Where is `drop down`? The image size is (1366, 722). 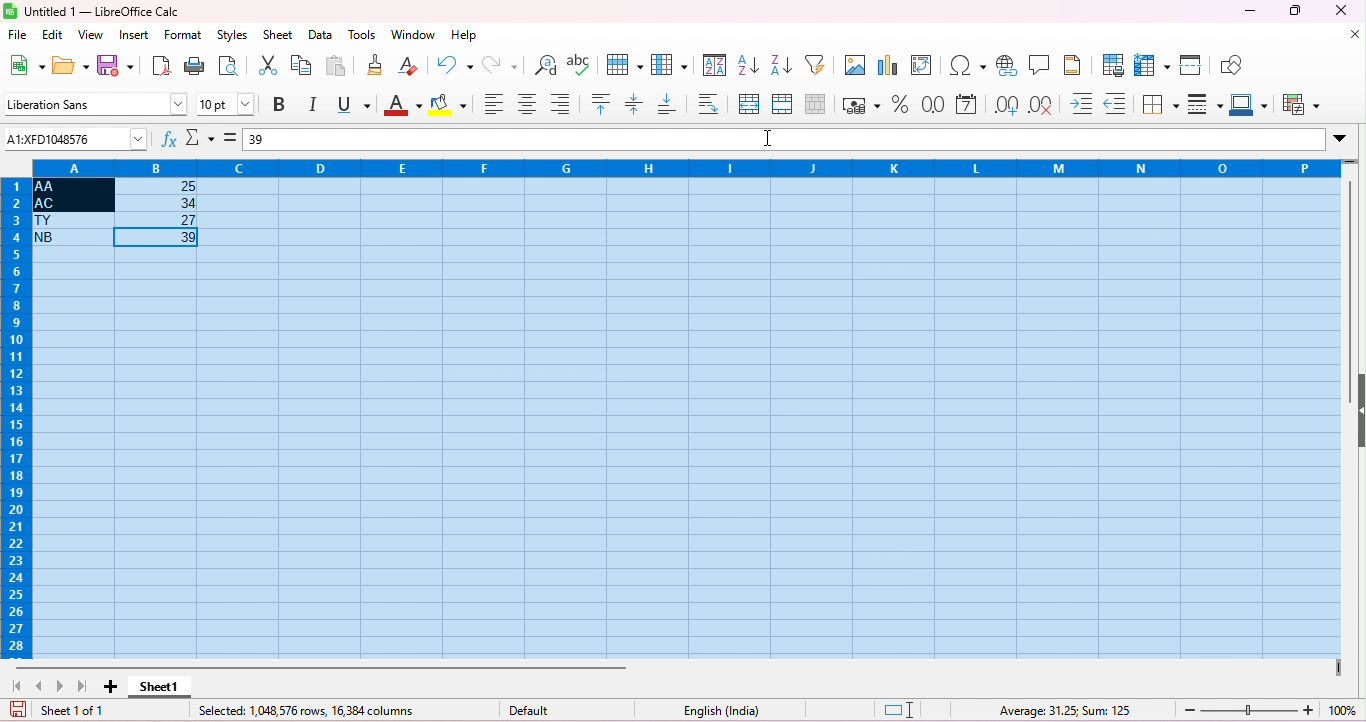 drop down is located at coordinates (1342, 137).